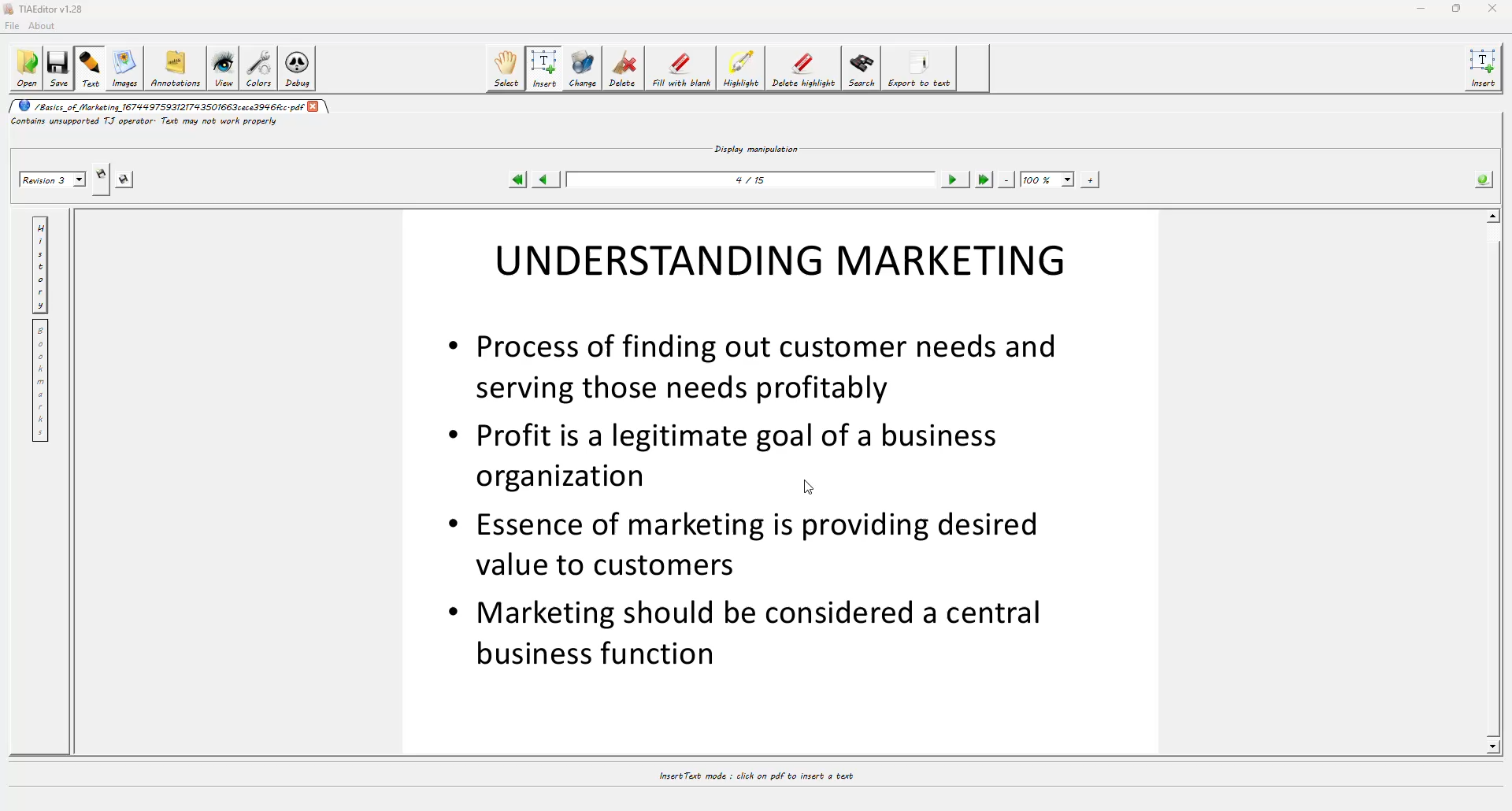 The image size is (1512, 811). What do you see at coordinates (175, 69) in the screenshot?
I see `annotations` at bounding box center [175, 69].